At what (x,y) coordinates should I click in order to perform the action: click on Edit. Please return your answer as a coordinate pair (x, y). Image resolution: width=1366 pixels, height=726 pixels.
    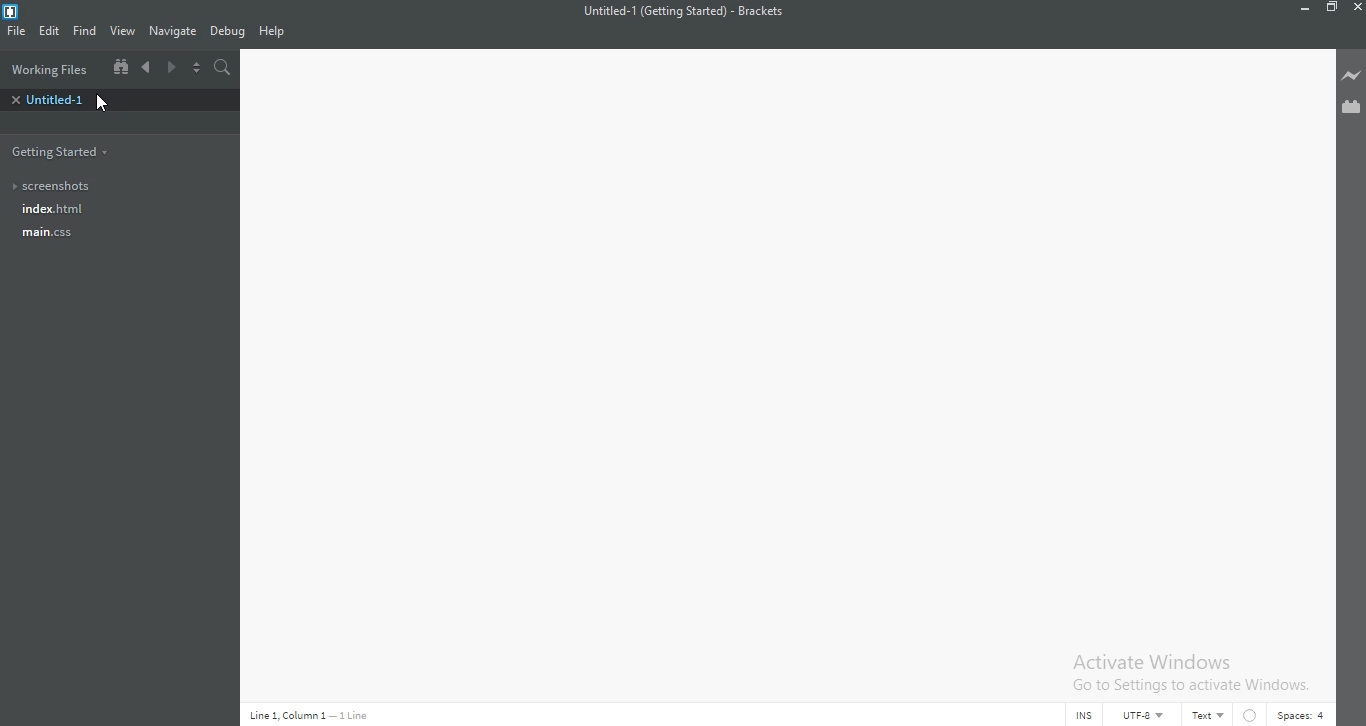
    Looking at the image, I should click on (46, 31).